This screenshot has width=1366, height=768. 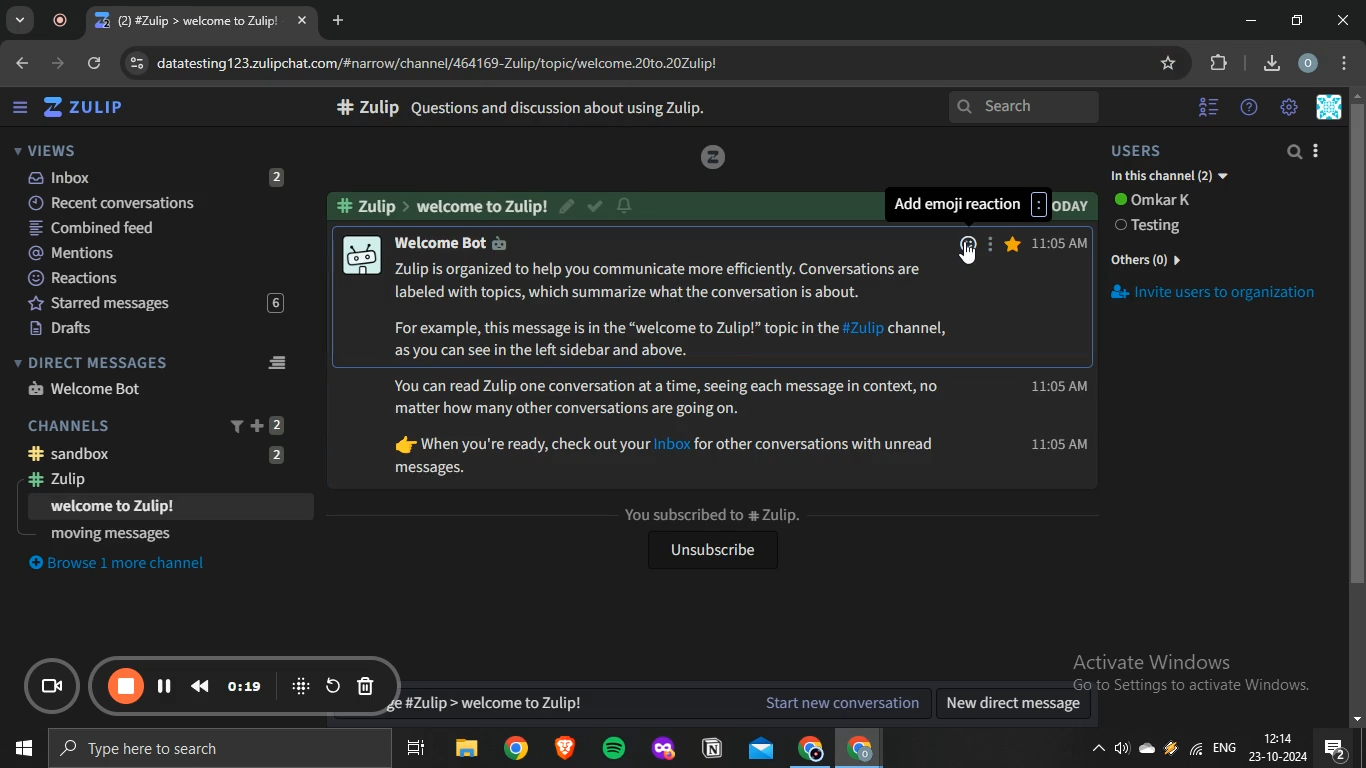 I want to click on winamp agent, so click(x=1171, y=753).